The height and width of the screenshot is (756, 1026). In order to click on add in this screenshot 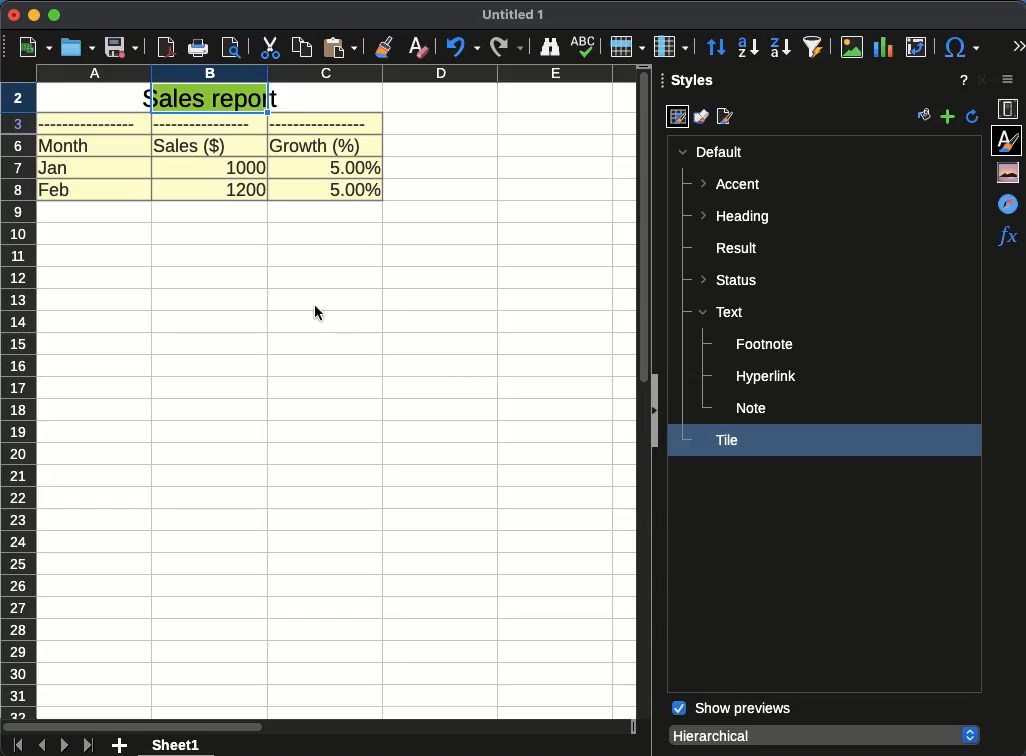, I will do `click(121, 746)`.